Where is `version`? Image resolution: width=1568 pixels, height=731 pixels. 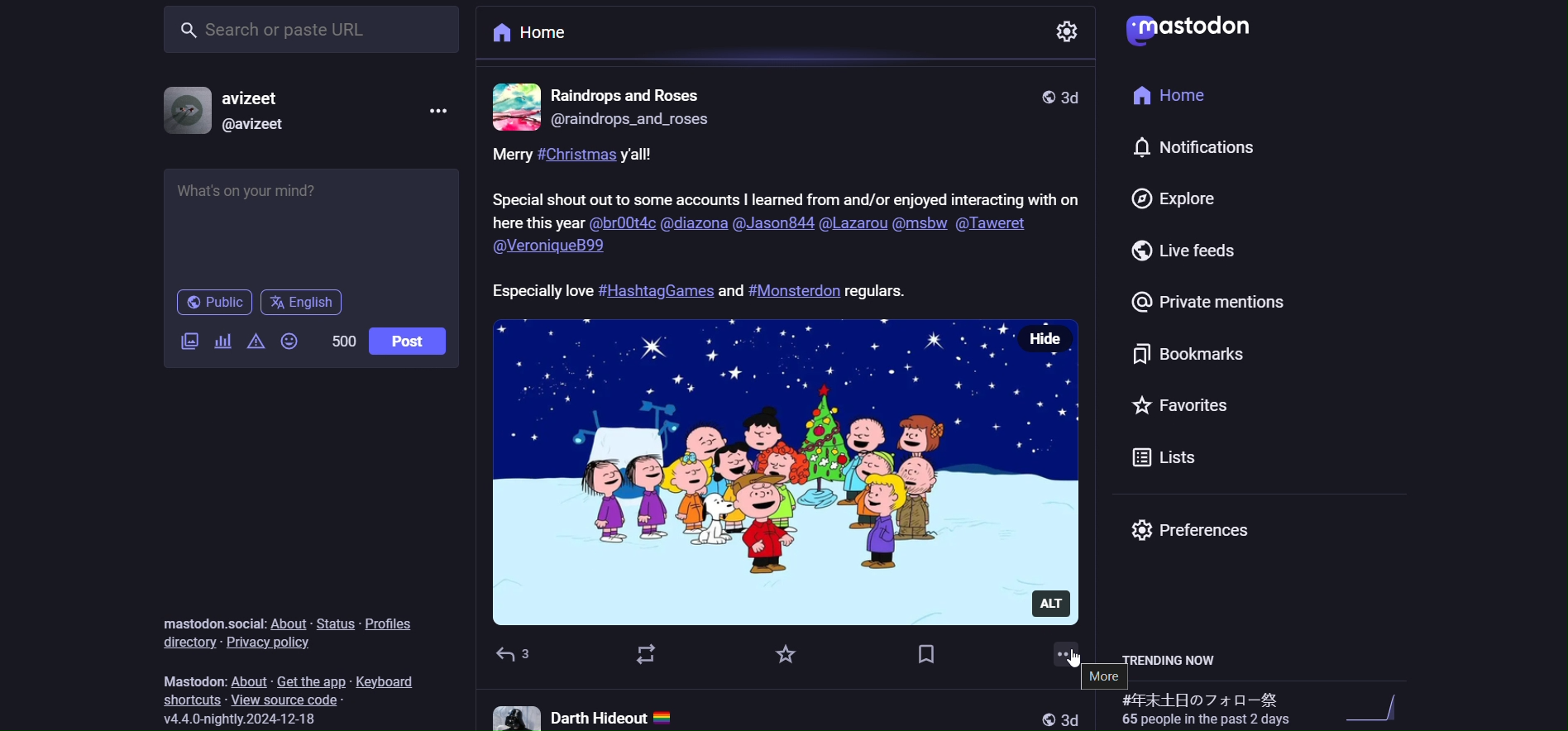
version is located at coordinates (246, 719).